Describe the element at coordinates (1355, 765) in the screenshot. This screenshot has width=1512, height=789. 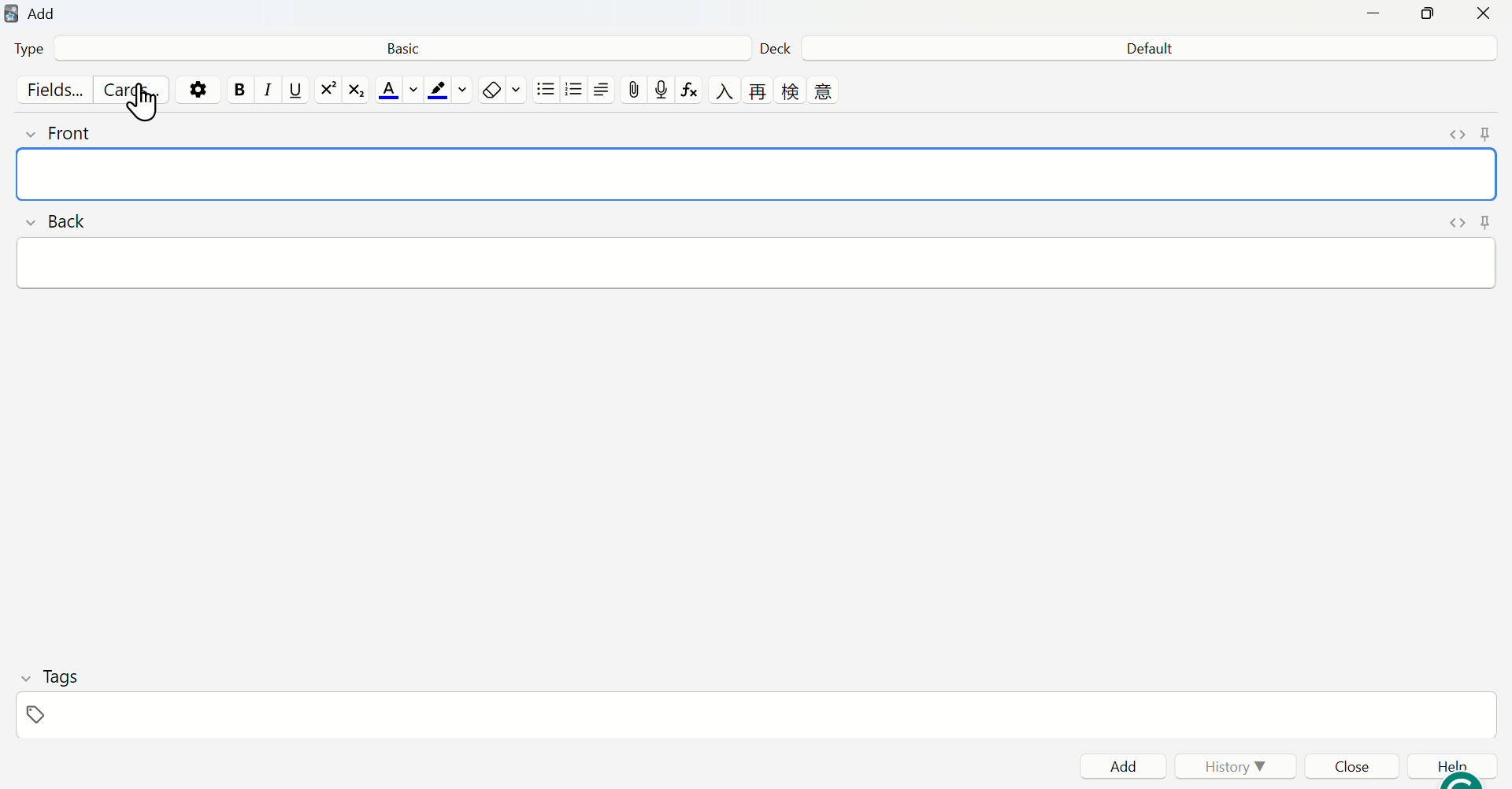
I see `Close` at that location.